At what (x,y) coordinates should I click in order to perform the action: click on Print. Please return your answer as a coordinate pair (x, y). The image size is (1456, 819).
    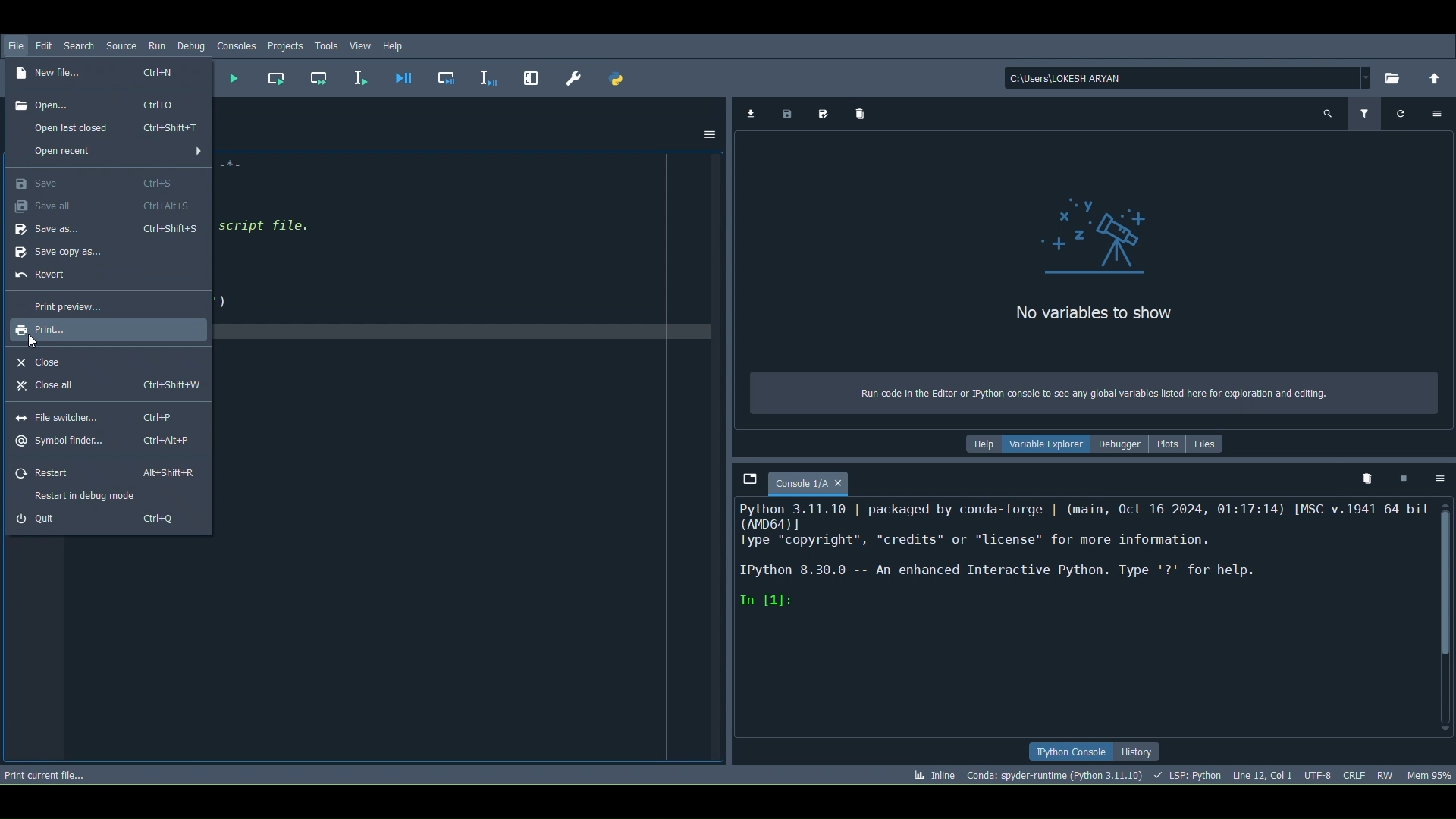
    Looking at the image, I should click on (62, 331).